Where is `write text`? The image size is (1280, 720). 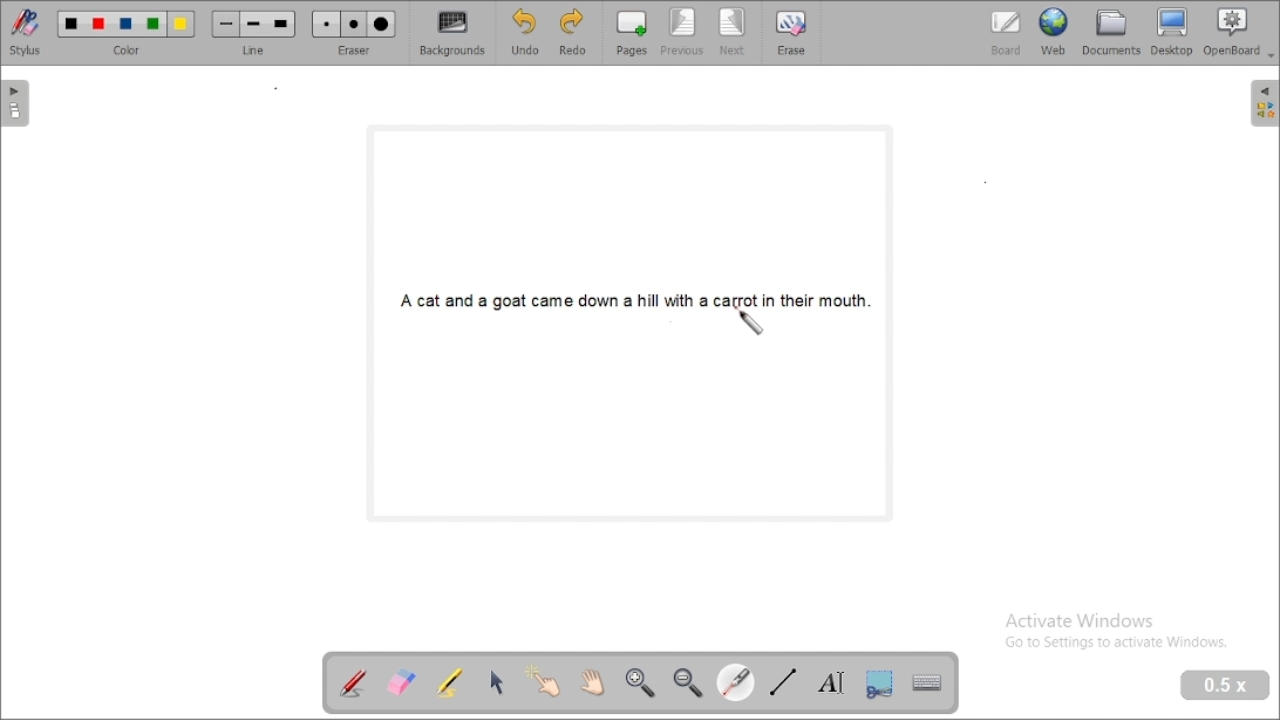
write text is located at coordinates (830, 682).